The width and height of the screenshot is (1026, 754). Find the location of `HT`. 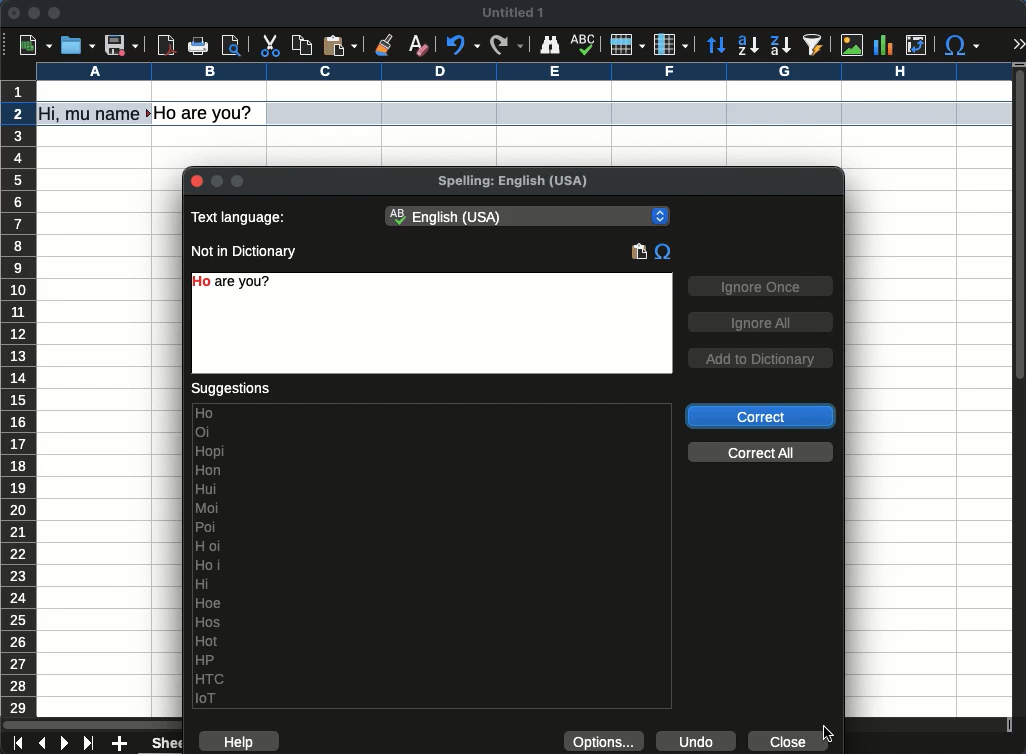

HT is located at coordinates (213, 679).